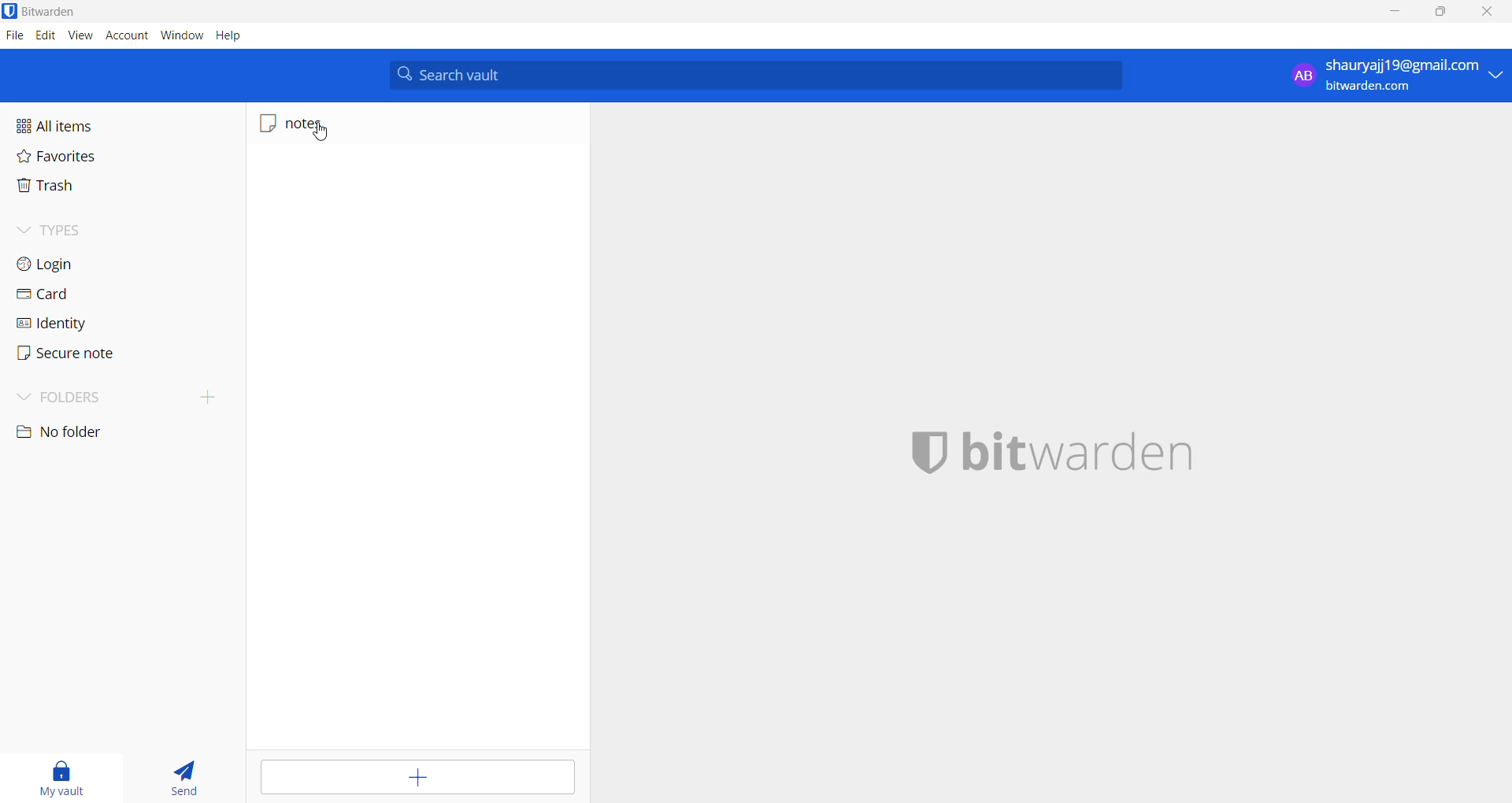  What do you see at coordinates (1482, 12) in the screenshot?
I see `close` at bounding box center [1482, 12].